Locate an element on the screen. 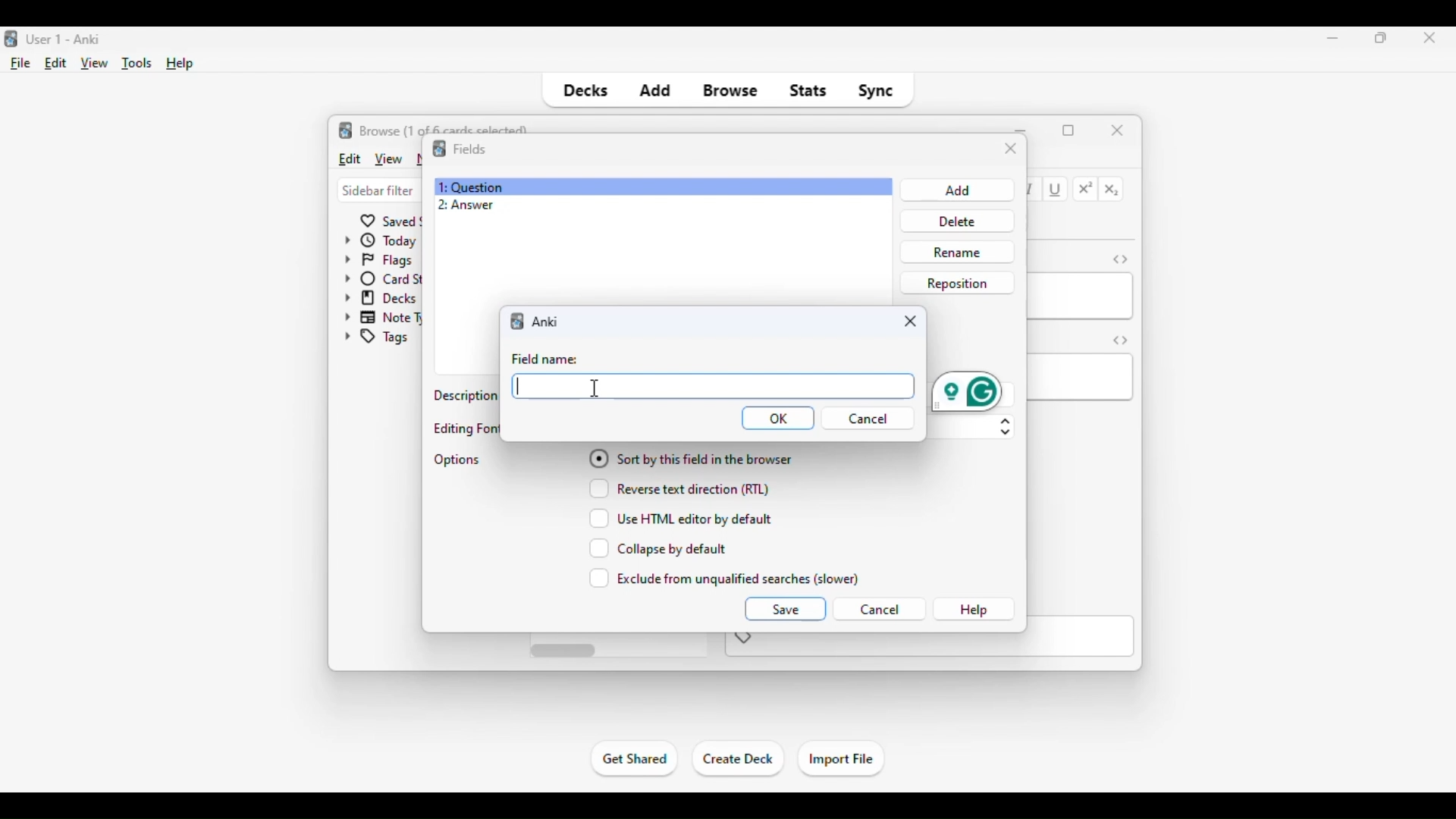 This screenshot has height=819, width=1456. fields is located at coordinates (469, 148).